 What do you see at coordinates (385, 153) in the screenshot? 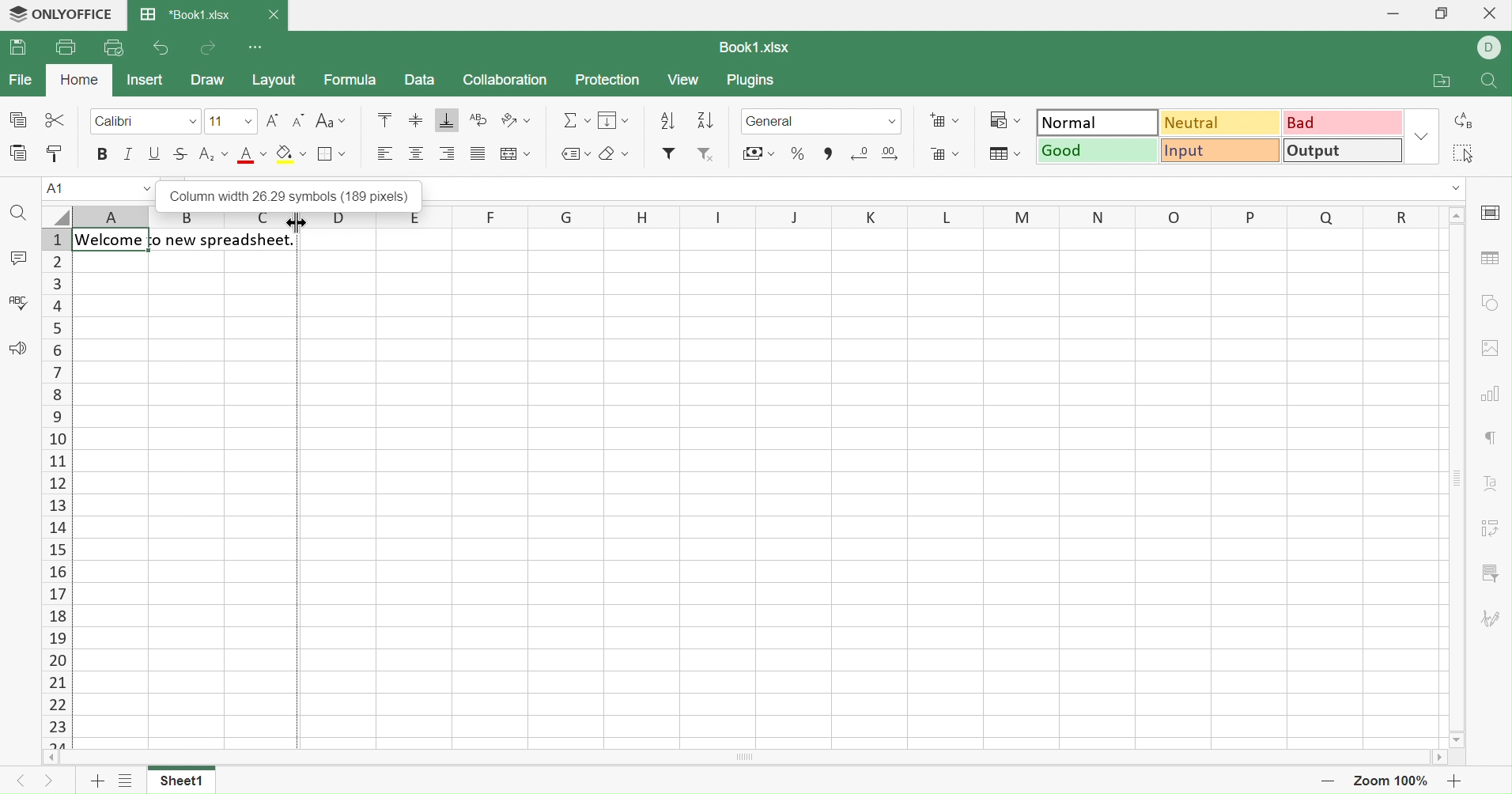
I see `Align Left` at bounding box center [385, 153].